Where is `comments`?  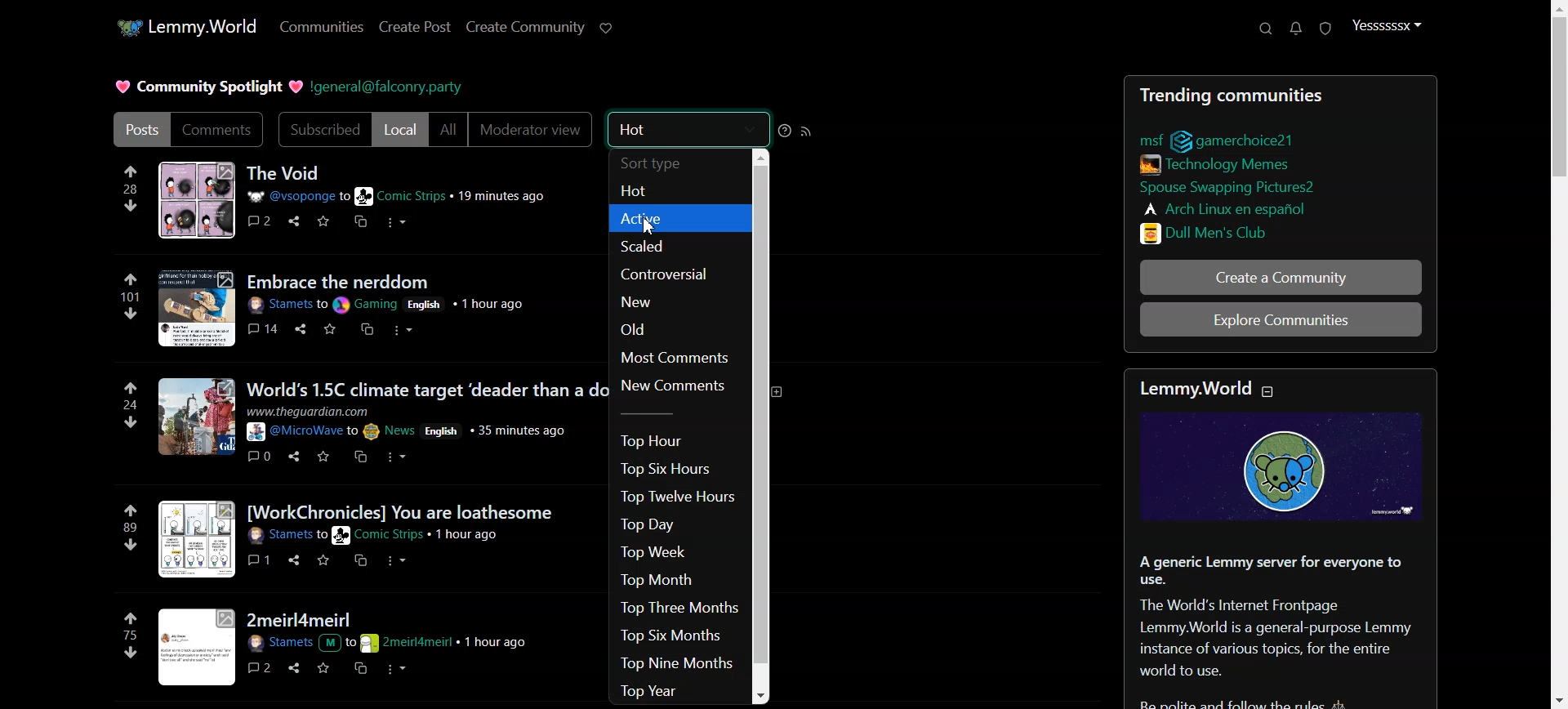 comments is located at coordinates (259, 216).